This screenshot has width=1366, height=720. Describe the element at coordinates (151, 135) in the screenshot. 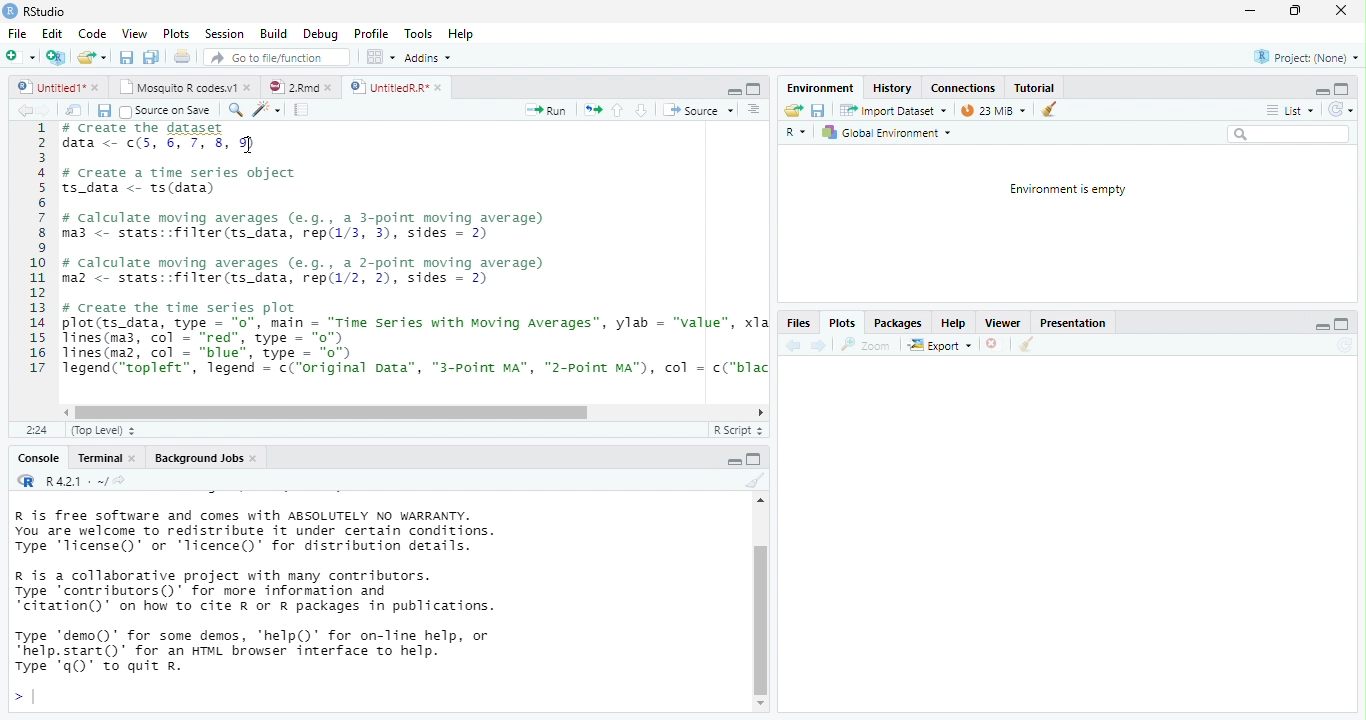

I see `1 # Create the dataset 2 data <- c(5, 6, 7, 8, 9)` at that location.